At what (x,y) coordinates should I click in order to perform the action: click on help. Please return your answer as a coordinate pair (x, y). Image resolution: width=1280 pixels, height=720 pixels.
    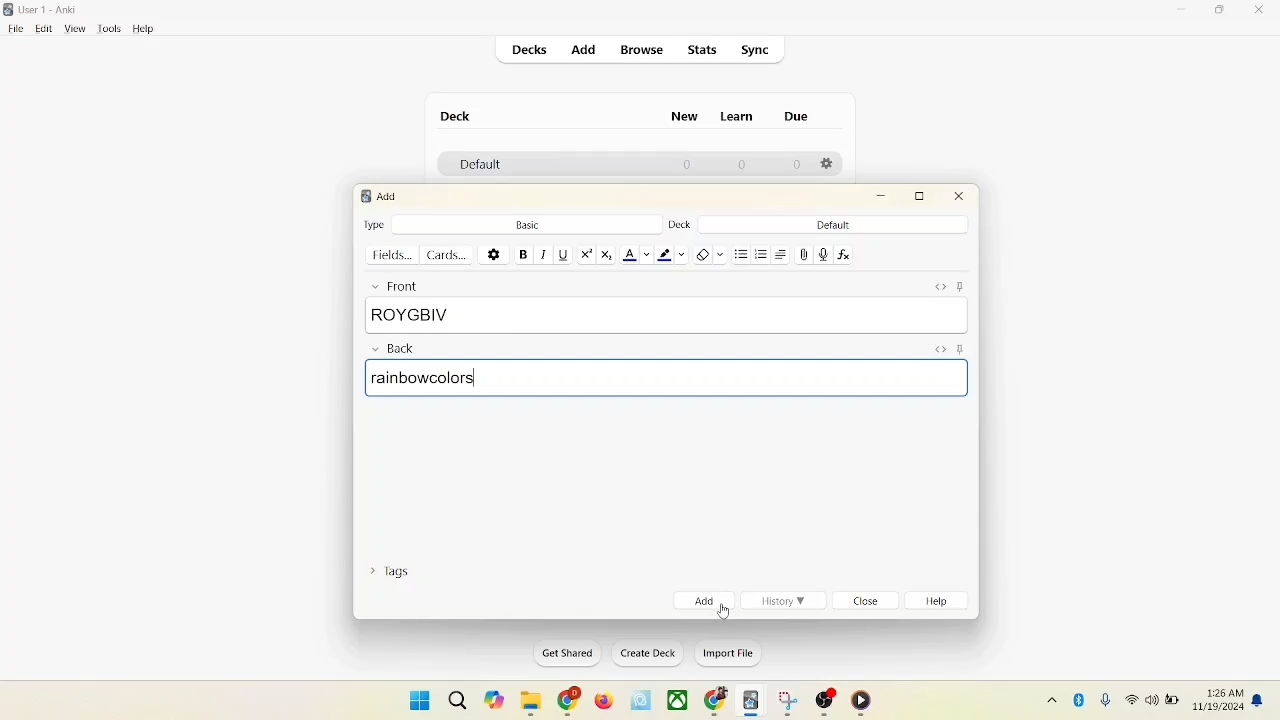
    Looking at the image, I should click on (941, 603).